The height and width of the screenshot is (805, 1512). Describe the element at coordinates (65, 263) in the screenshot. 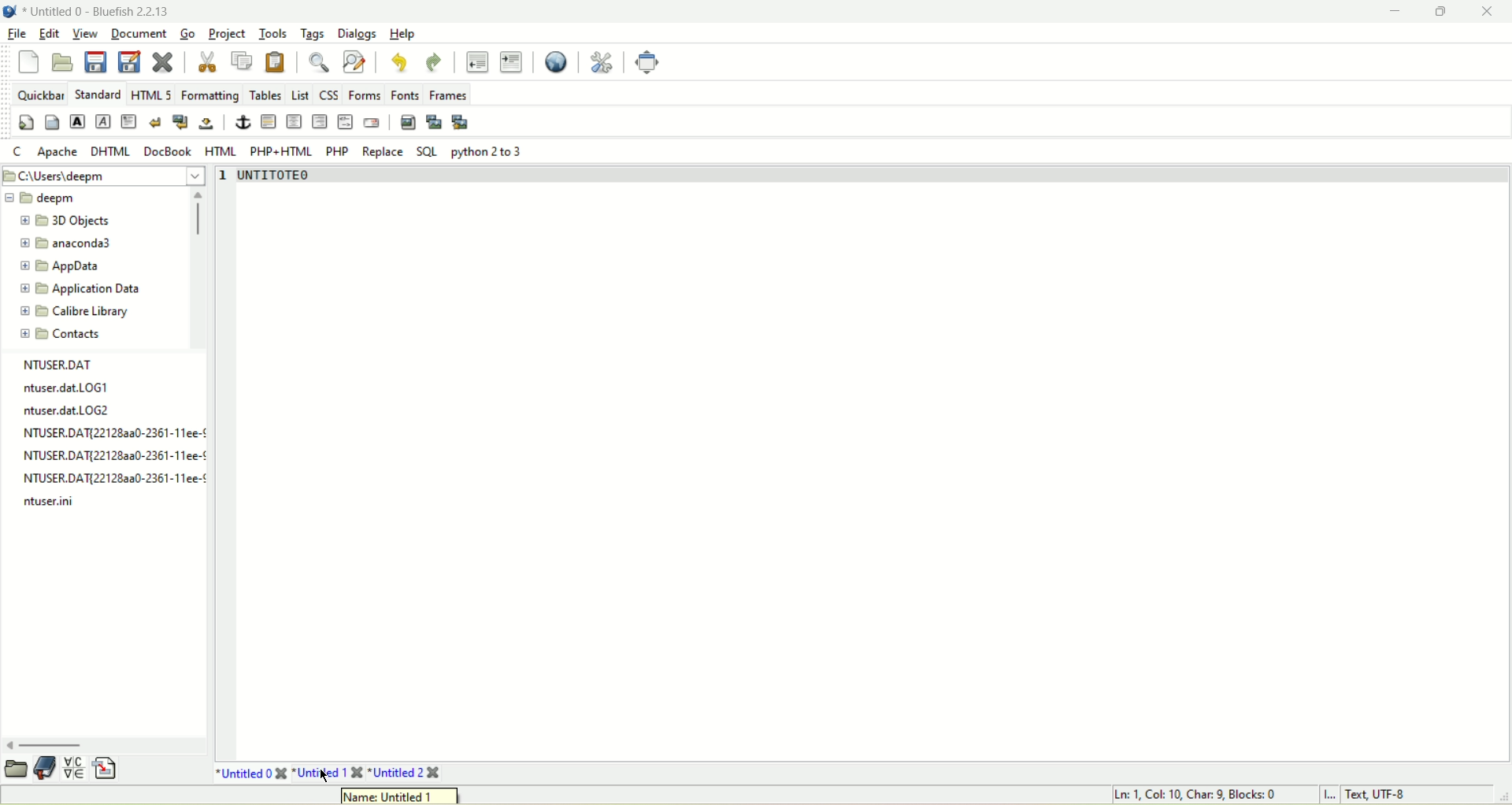

I see `appdata` at that location.